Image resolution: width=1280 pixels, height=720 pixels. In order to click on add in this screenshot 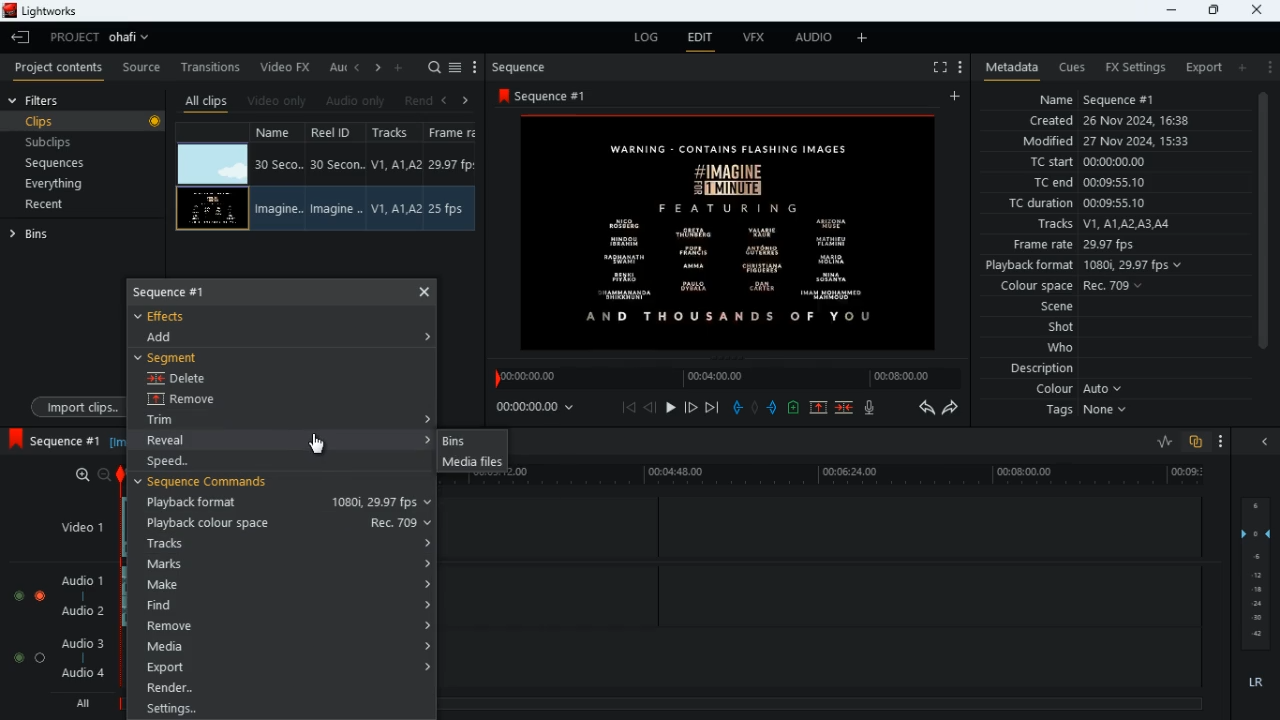, I will do `click(169, 338)`.